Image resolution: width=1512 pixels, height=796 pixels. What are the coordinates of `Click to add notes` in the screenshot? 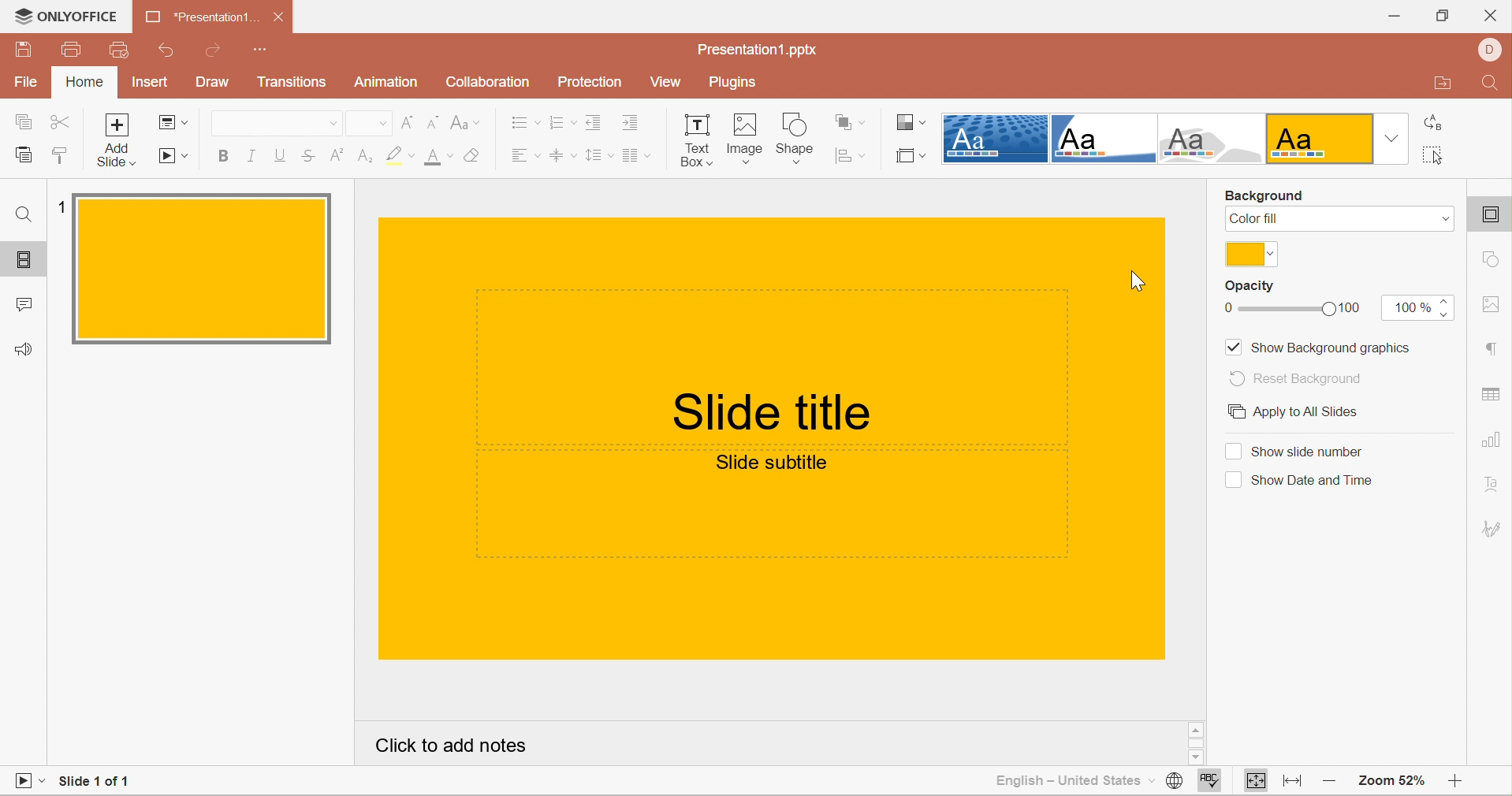 It's located at (445, 744).